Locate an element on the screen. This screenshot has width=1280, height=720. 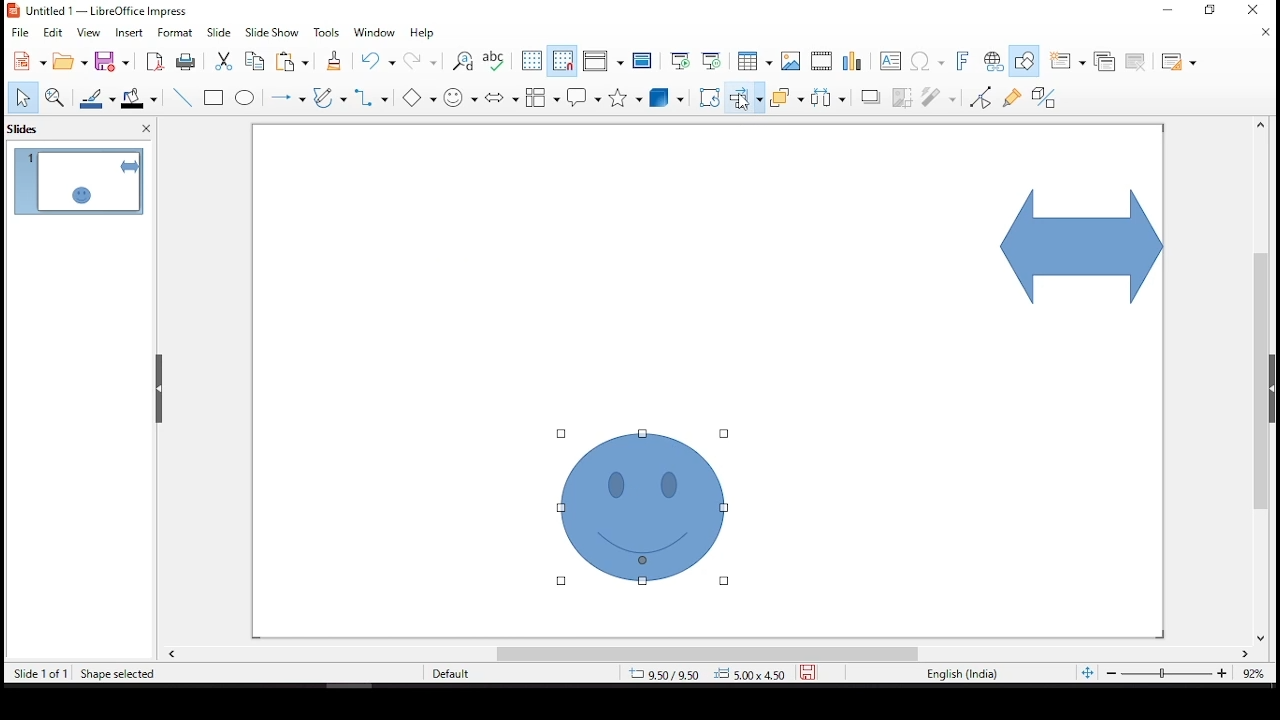
line color is located at coordinates (99, 98).